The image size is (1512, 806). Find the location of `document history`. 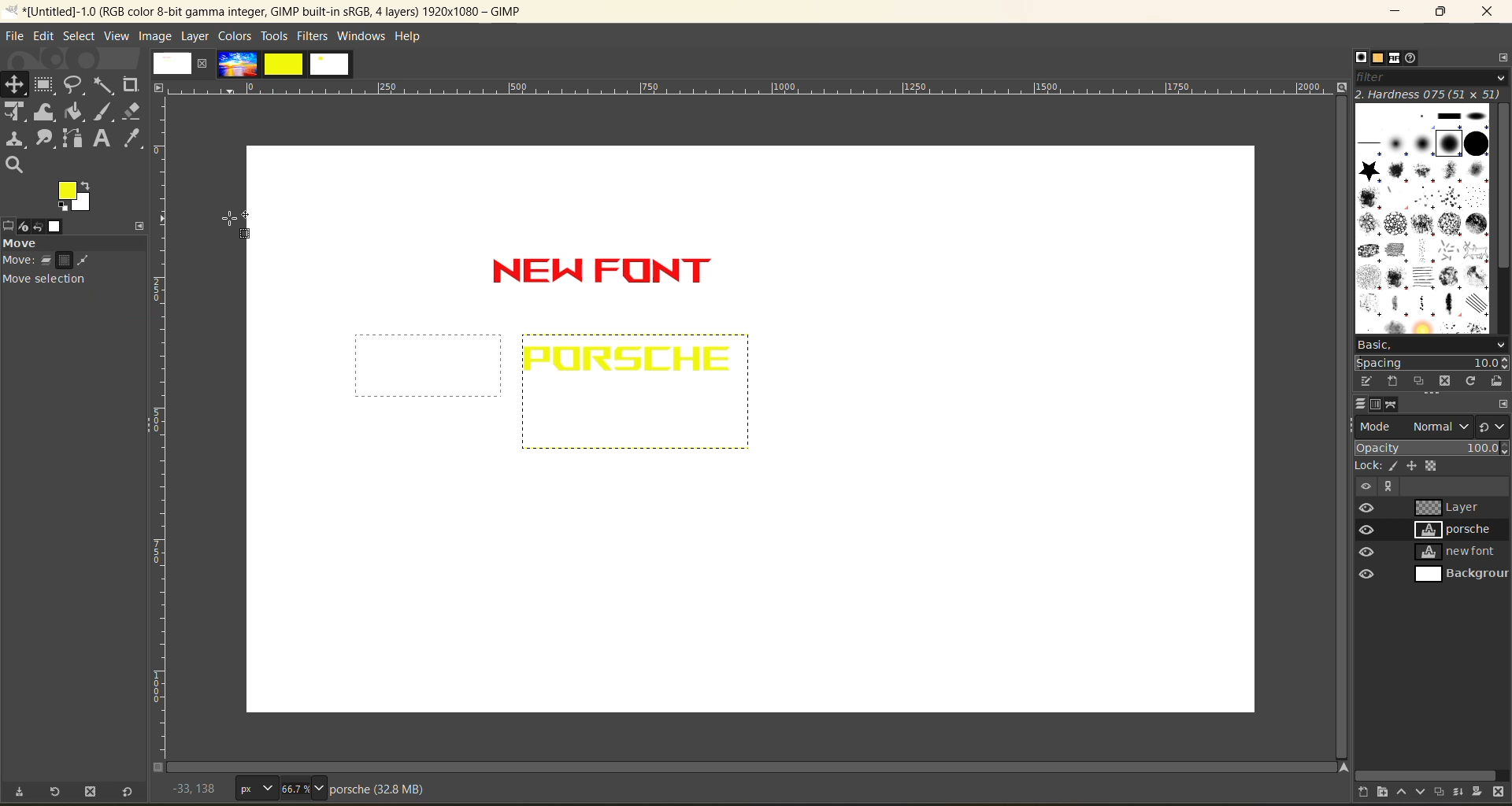

document history is located at coordinates (1420, 57).